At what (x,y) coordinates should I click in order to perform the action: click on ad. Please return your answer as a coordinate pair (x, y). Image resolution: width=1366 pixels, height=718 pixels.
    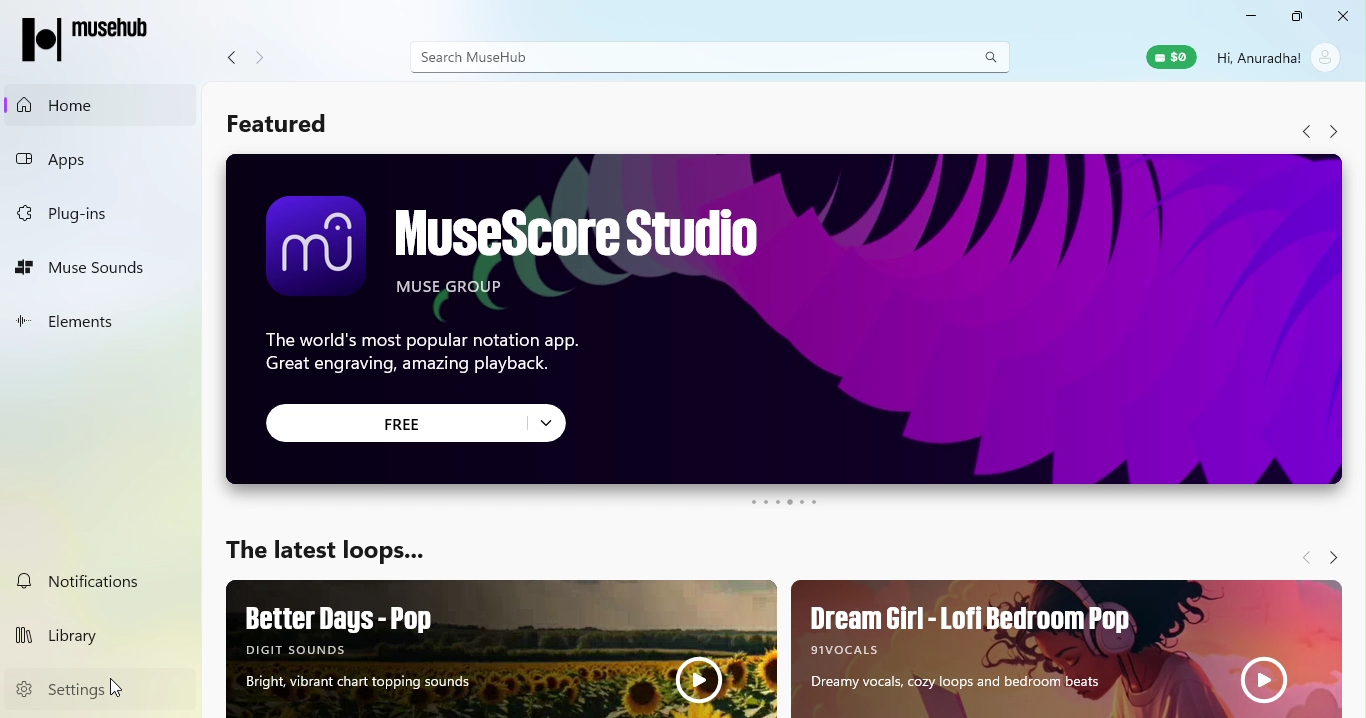
    Looking at the image, I should click on (1070, 647).